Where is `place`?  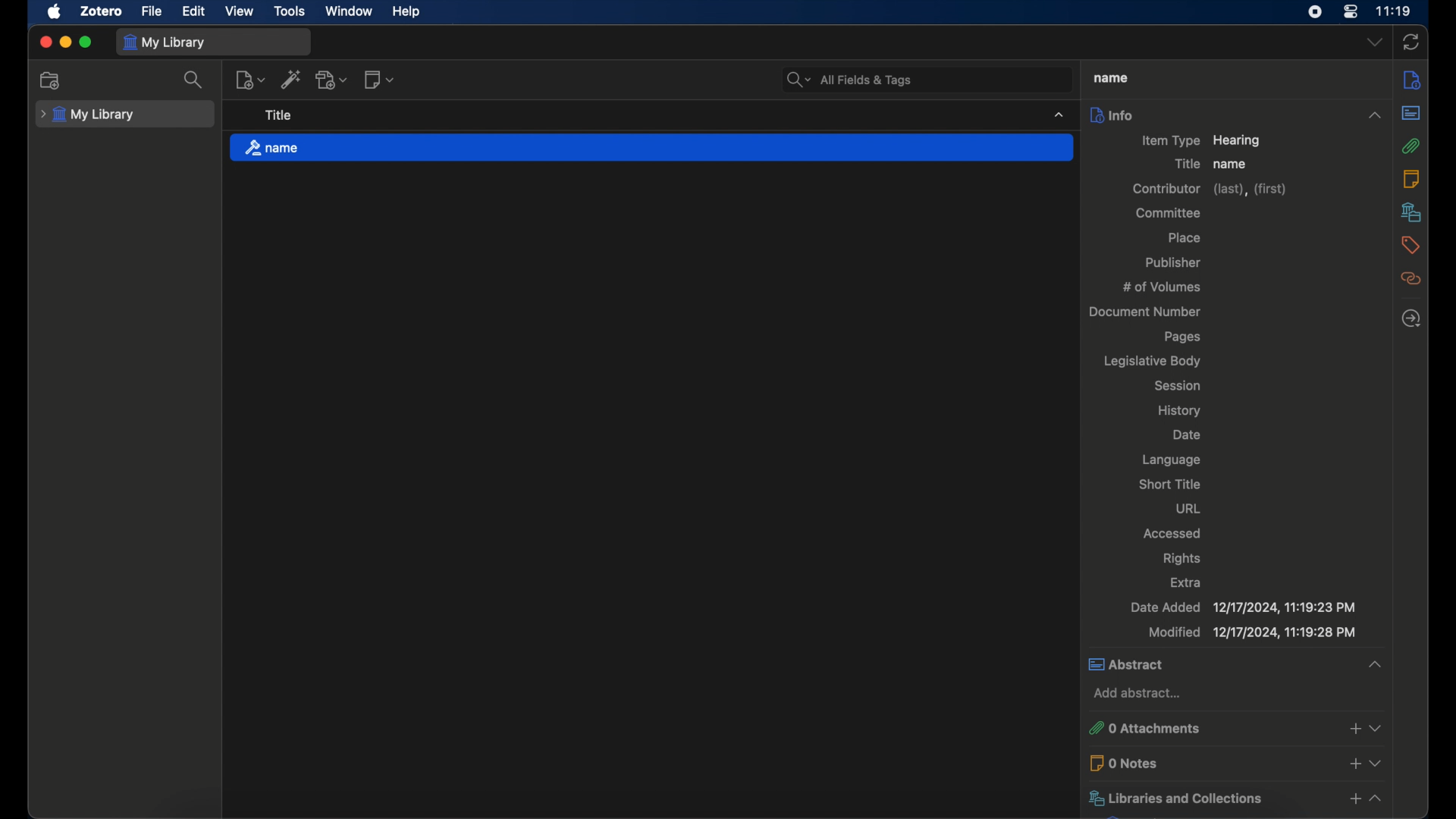
place is located at coordinates (1184, 237).